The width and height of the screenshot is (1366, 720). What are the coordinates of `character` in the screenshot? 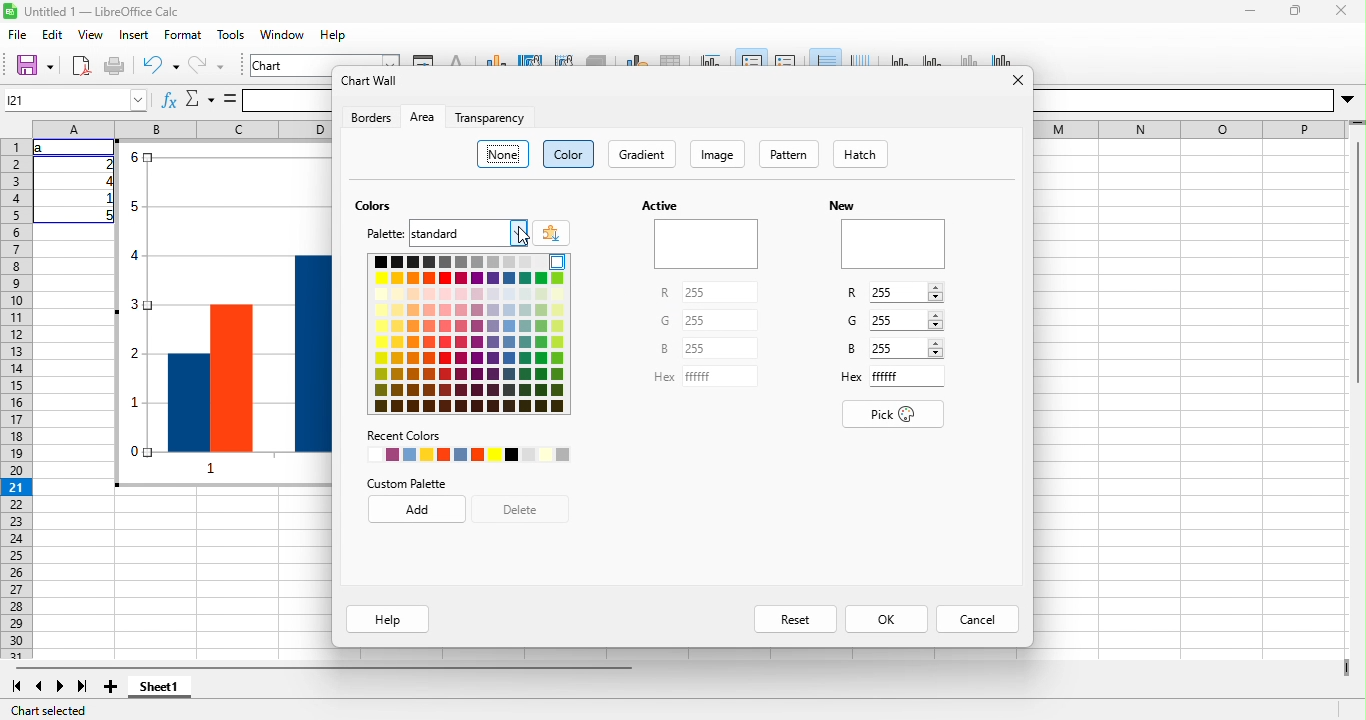 It's located at (457, 59).